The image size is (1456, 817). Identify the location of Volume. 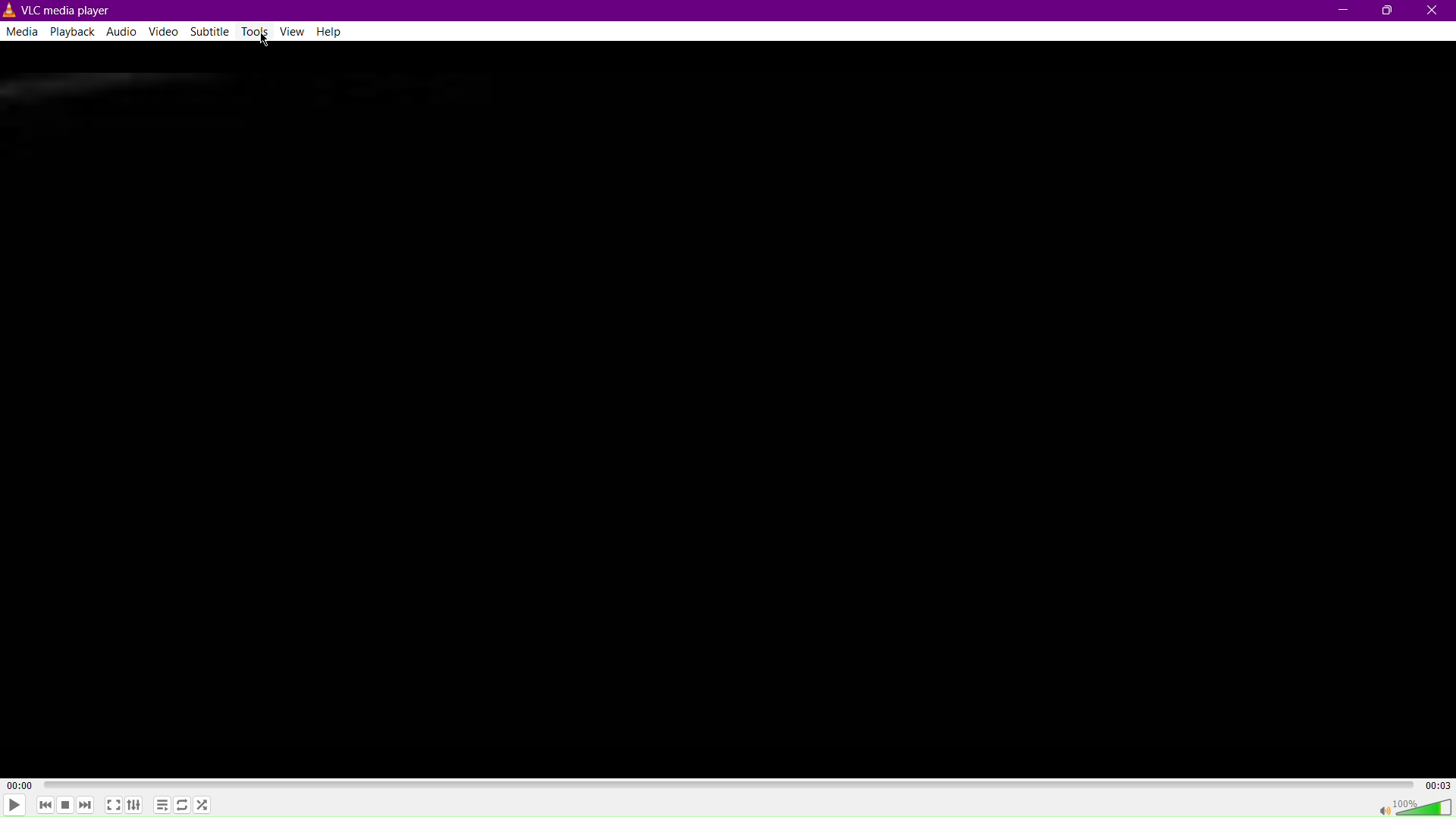
(1425, 806).